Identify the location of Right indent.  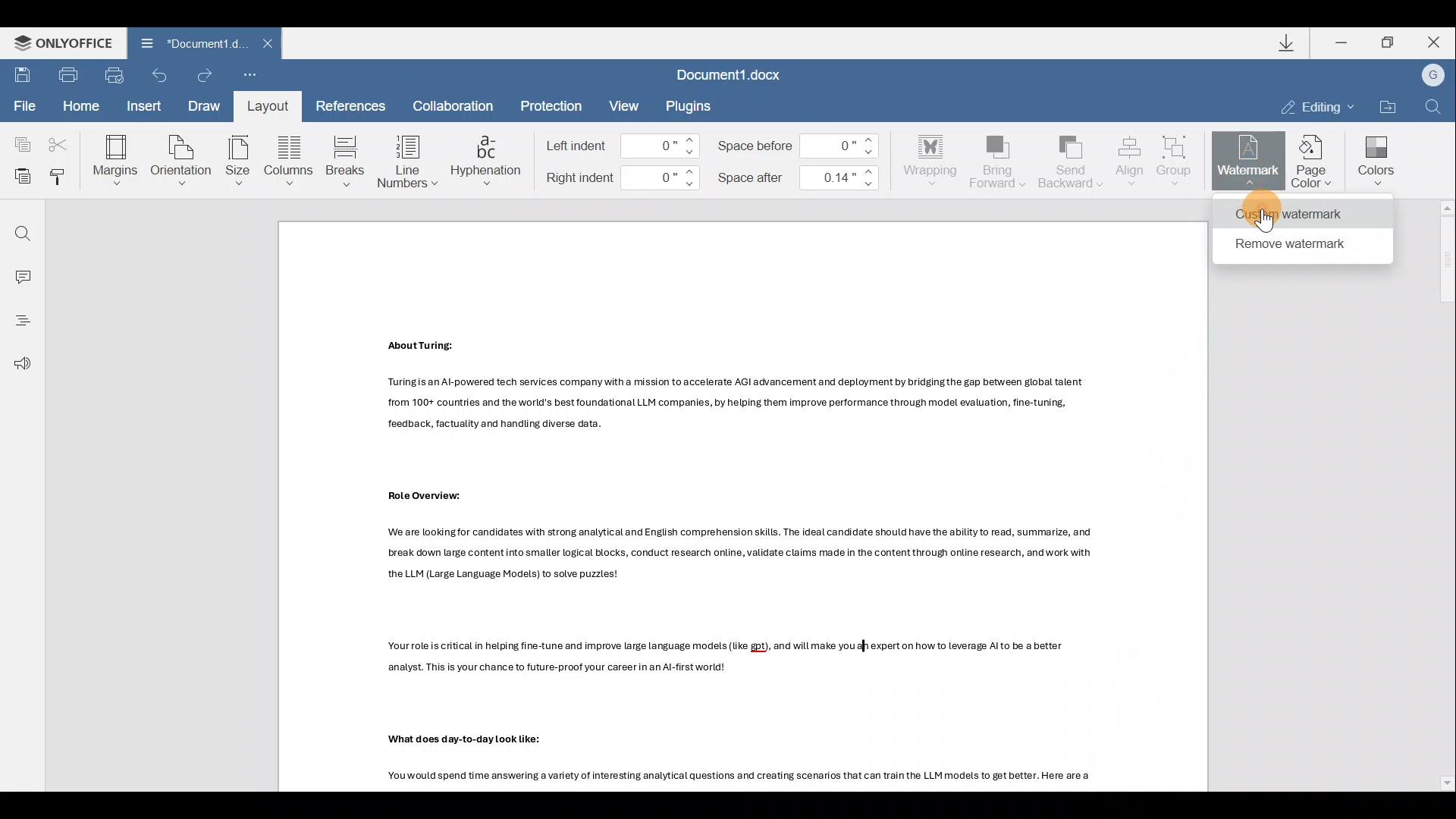
(626, 180).